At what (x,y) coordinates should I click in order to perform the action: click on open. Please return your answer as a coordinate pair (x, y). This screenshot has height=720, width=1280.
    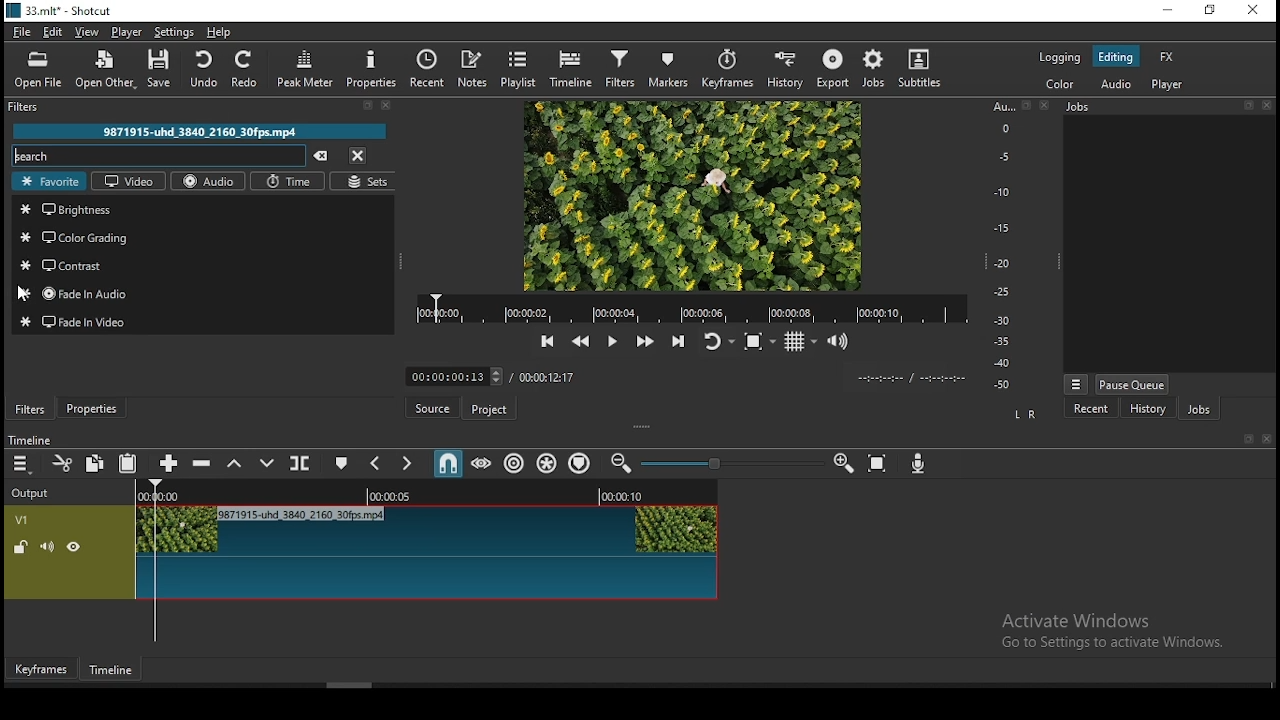
    Looking at the image, I should click on (40, 72).